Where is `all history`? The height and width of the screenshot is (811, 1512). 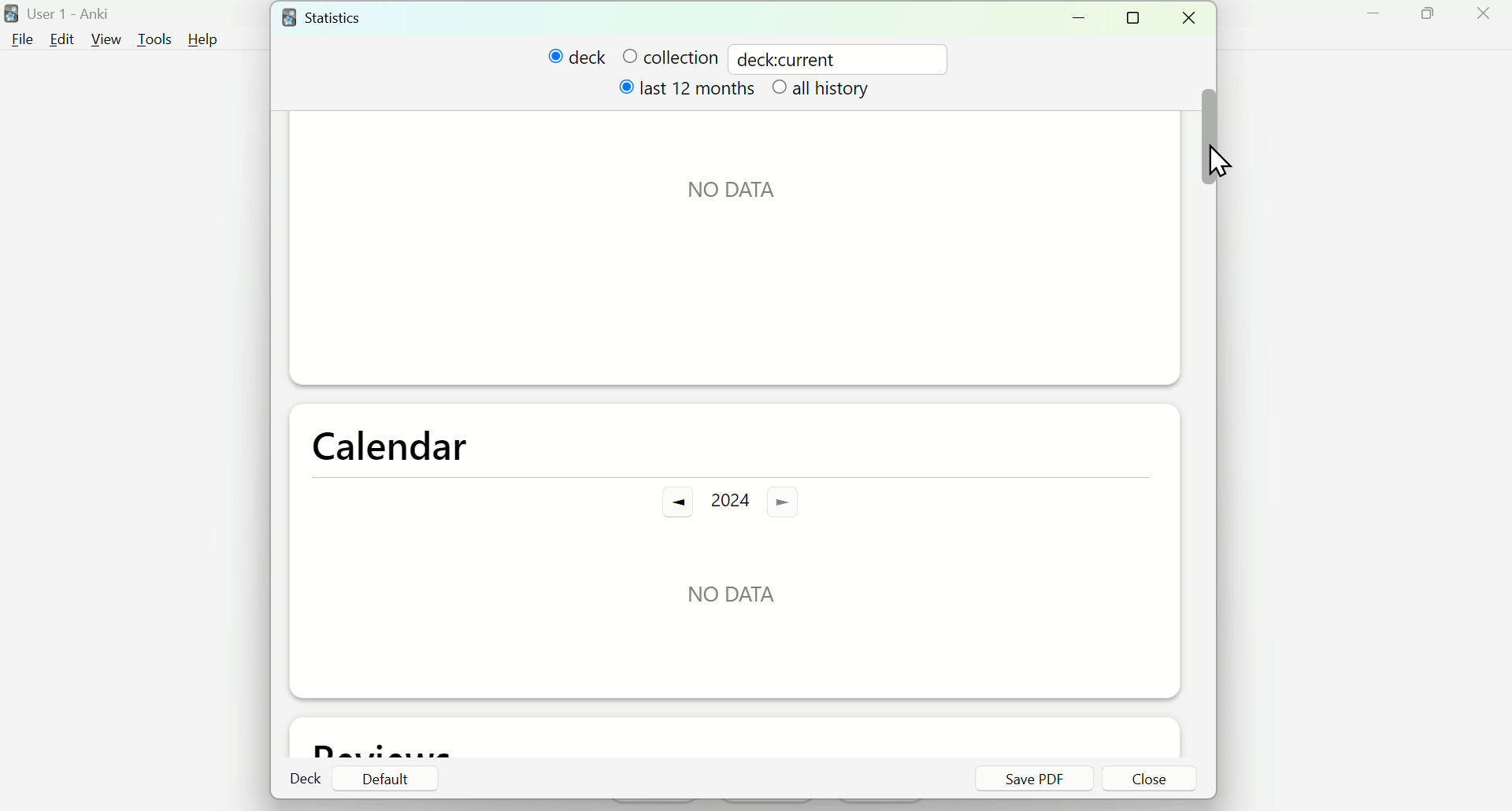
all history is located at coordinates (825, 91).